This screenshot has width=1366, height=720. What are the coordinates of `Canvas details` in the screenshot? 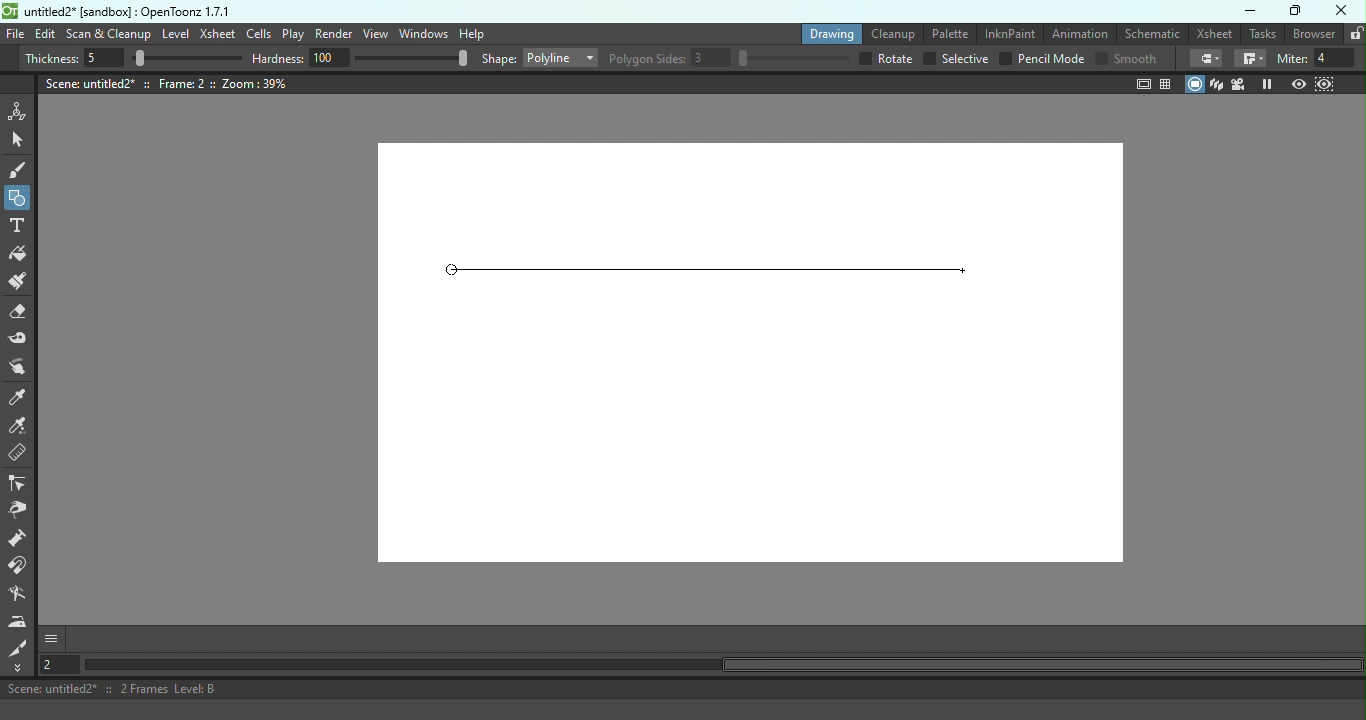 It's located at (167, 84).